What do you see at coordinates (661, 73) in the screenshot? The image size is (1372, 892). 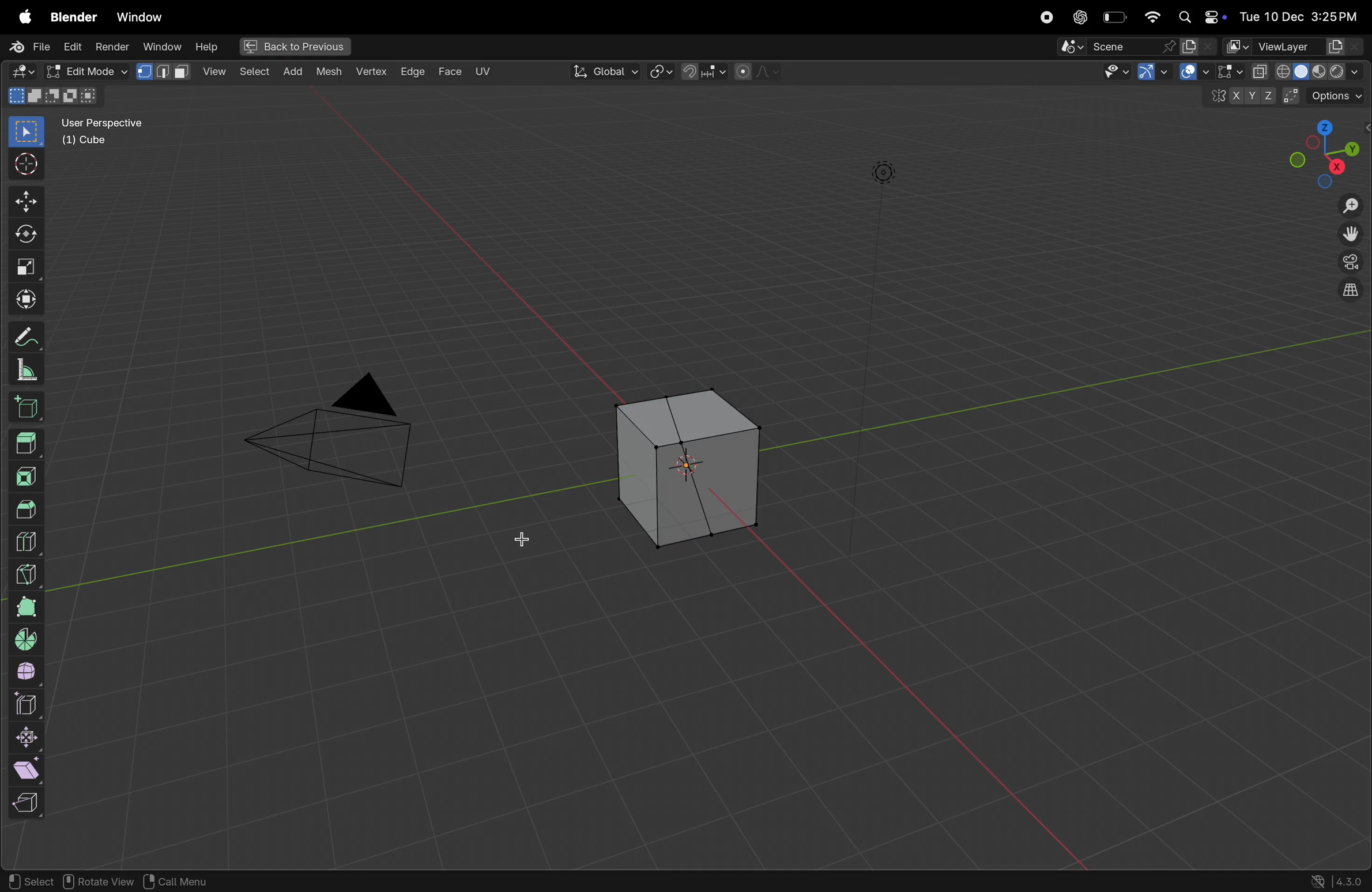 I see `transform pviot` at bounding box center [661, 73].